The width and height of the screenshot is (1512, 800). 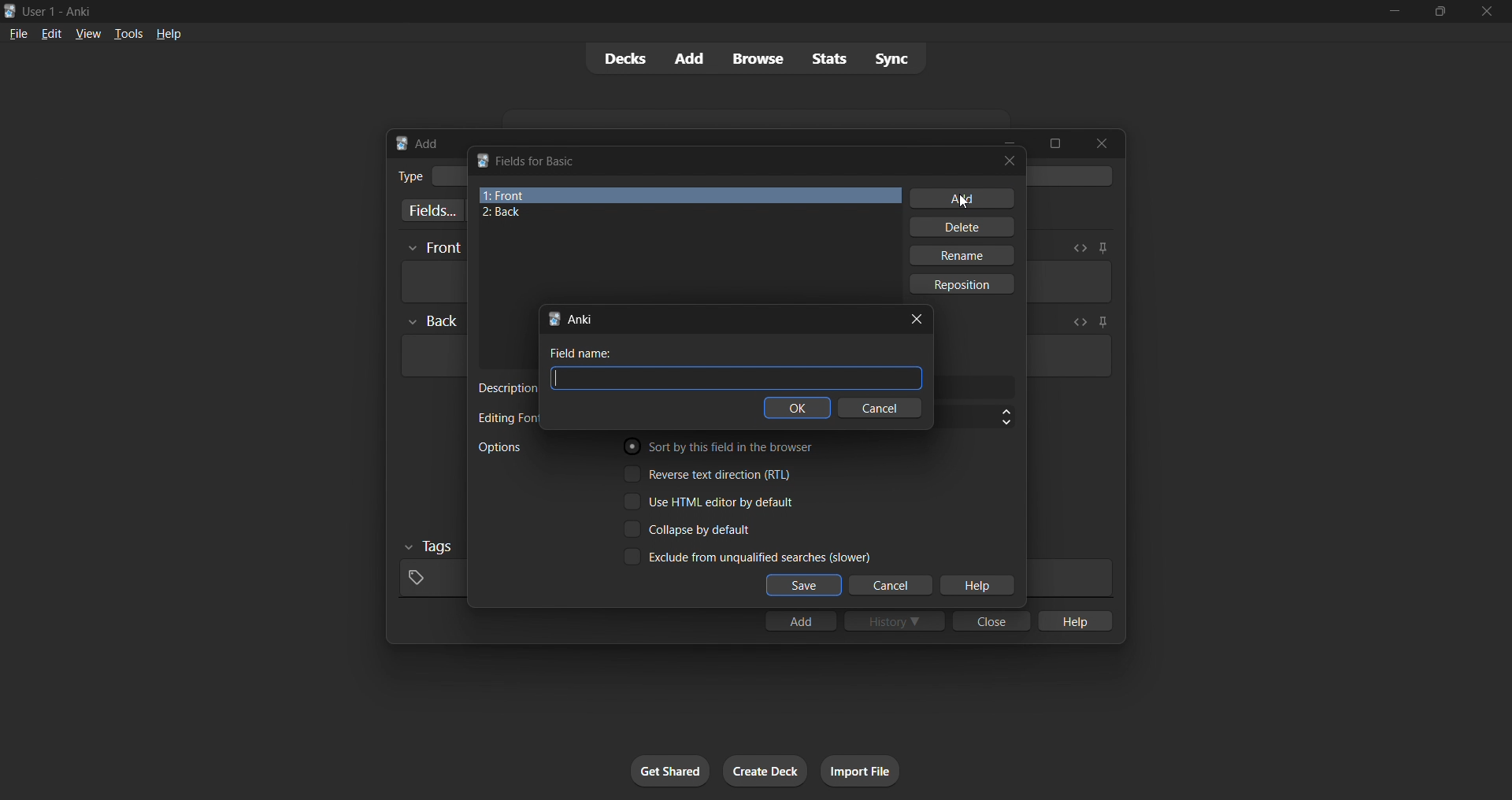 I want to click on Toggle sticky, so click(x=1102, y=248).